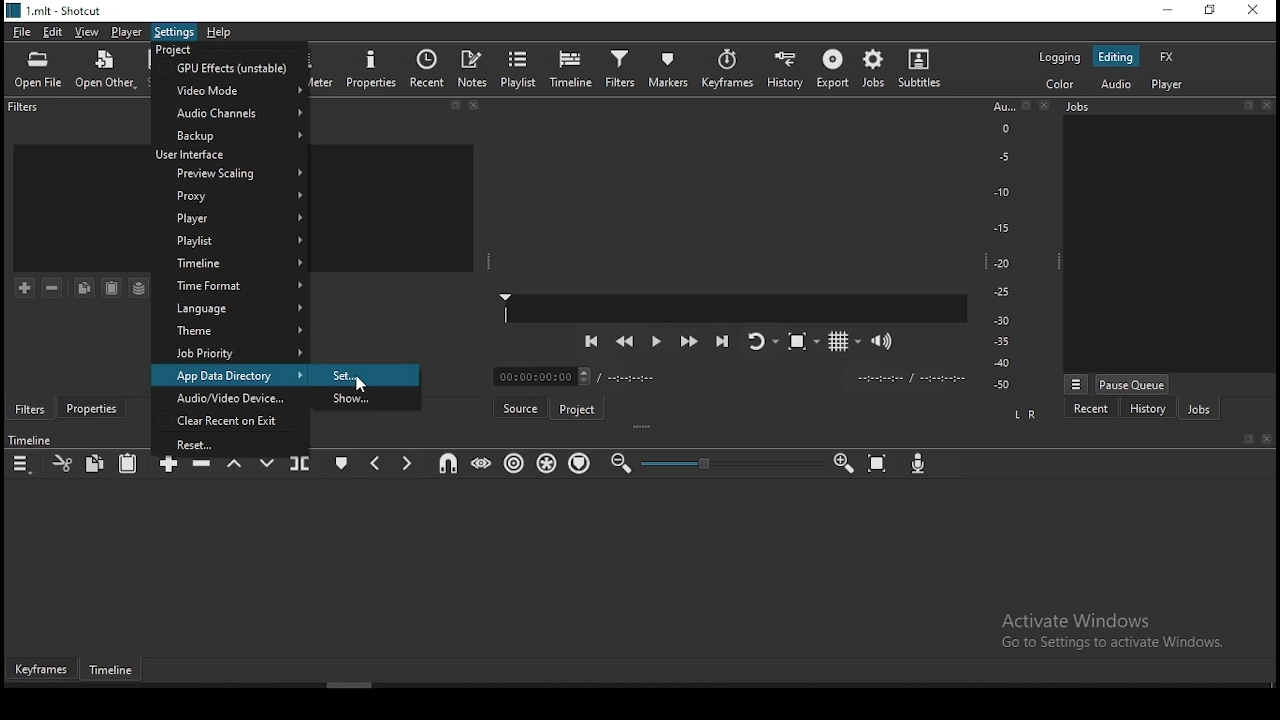 The image size is (1280, 720). Describe the element at coordinates (116, 672) in the screenshot. I see `timeline` at that location.